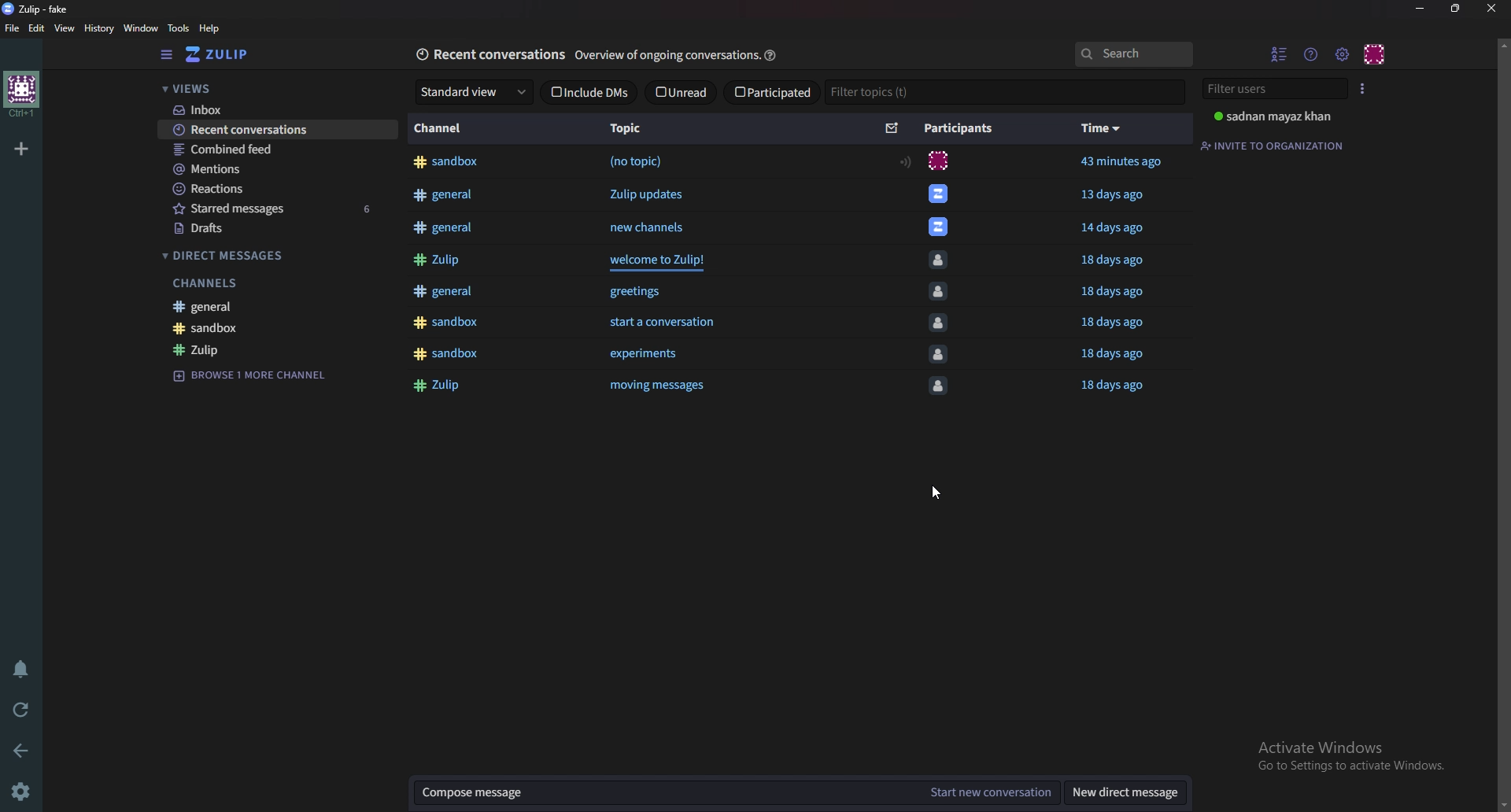 This screenshot has width=1511, height=812. I want to click on home, so click(22, 95).